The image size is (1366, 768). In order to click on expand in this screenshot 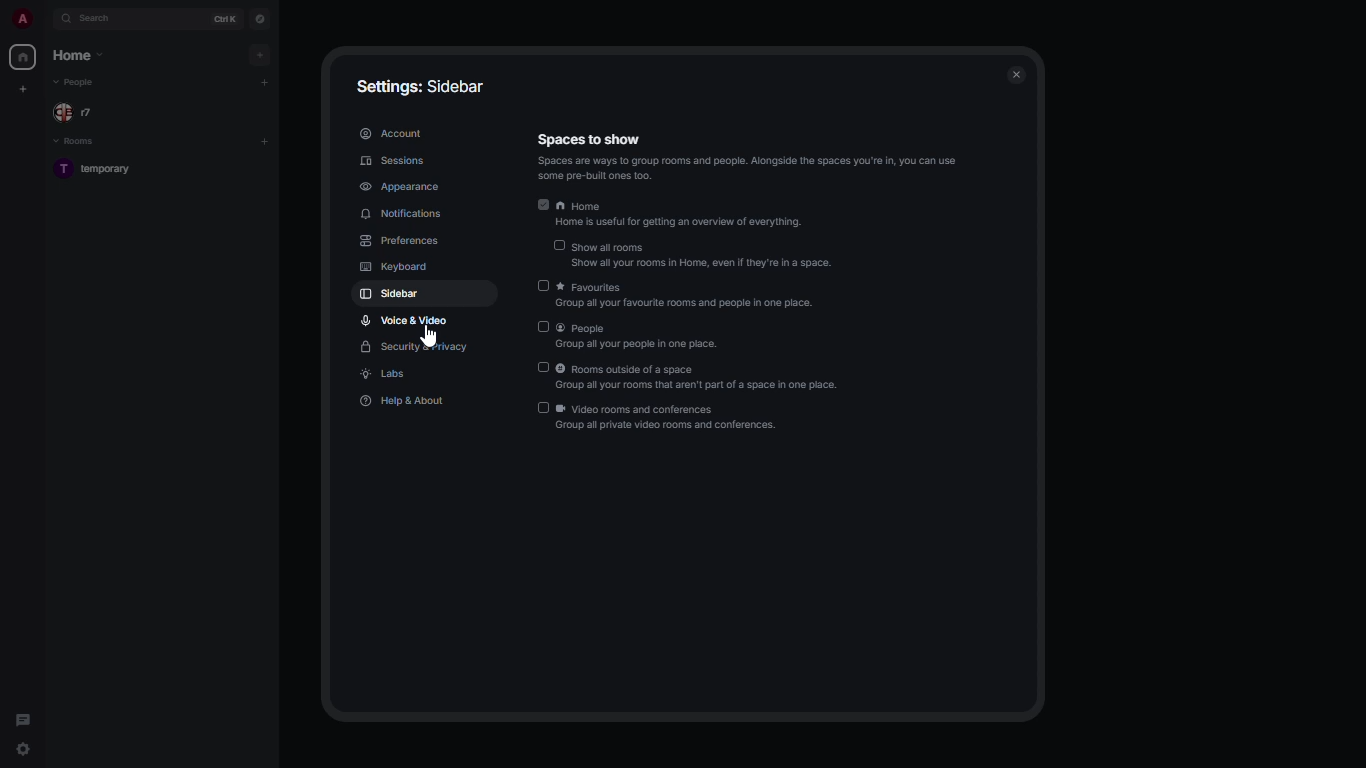, I will do `click(47, 18)`.